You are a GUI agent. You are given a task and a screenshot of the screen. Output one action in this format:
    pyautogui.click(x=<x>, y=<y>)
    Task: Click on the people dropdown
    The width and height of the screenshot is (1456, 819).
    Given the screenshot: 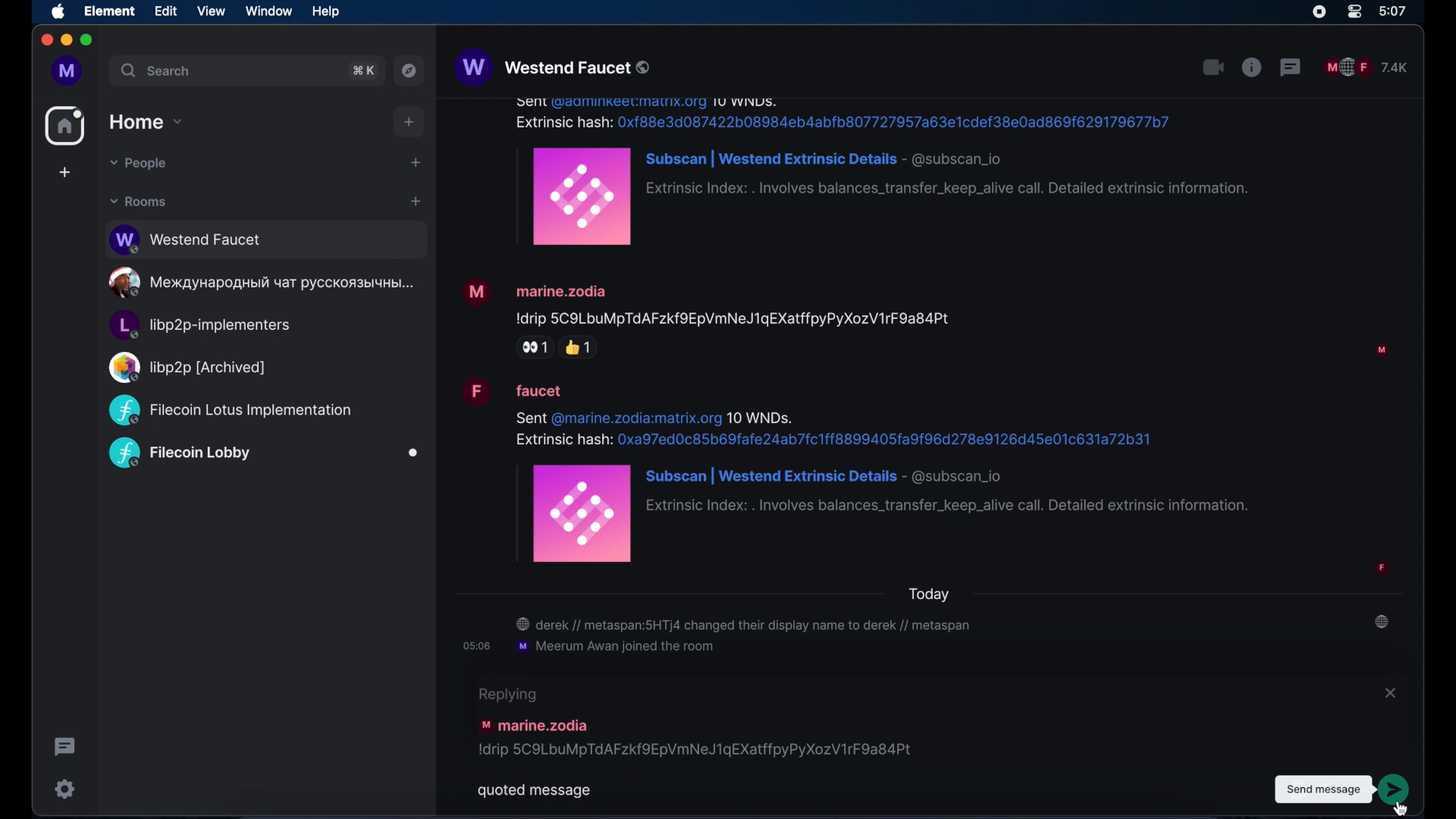 What is the action you would take?
    pyautogui.click(x=139, y=164)
    